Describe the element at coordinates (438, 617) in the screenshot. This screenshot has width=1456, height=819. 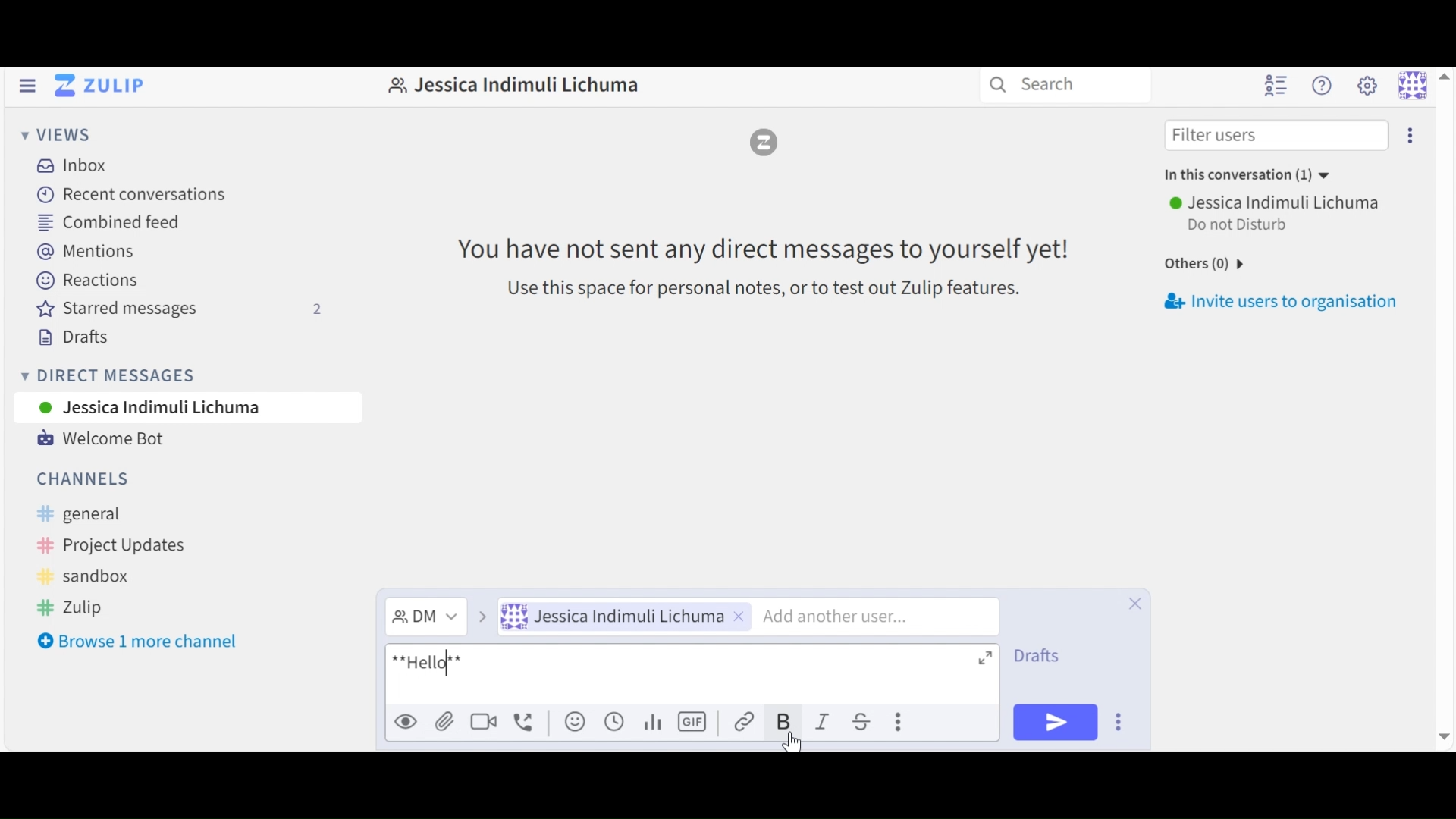
I see `Direct Message` at that location.